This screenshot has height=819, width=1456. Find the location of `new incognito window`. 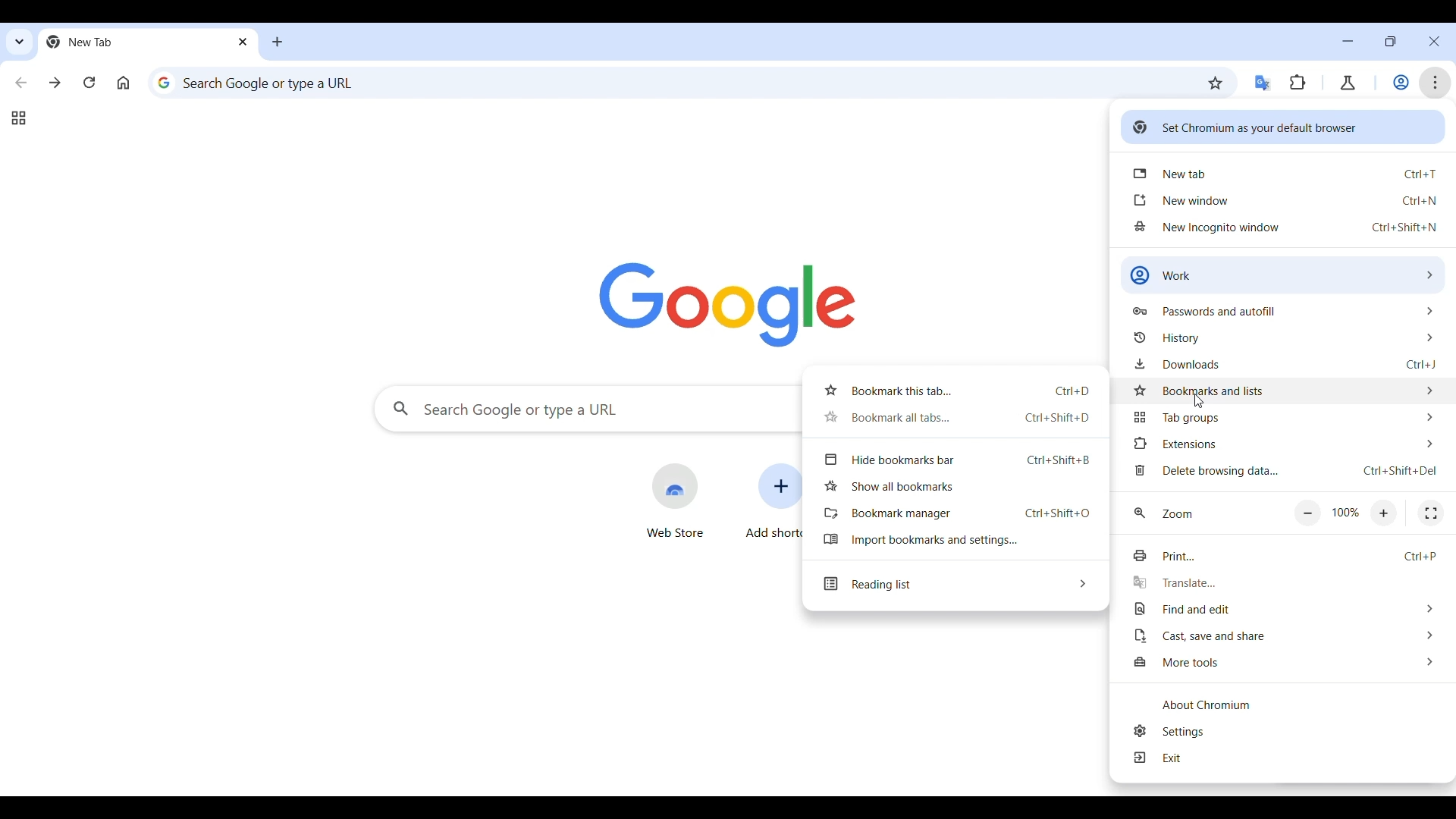

new incognito window is located at coordinates (1286, 227).